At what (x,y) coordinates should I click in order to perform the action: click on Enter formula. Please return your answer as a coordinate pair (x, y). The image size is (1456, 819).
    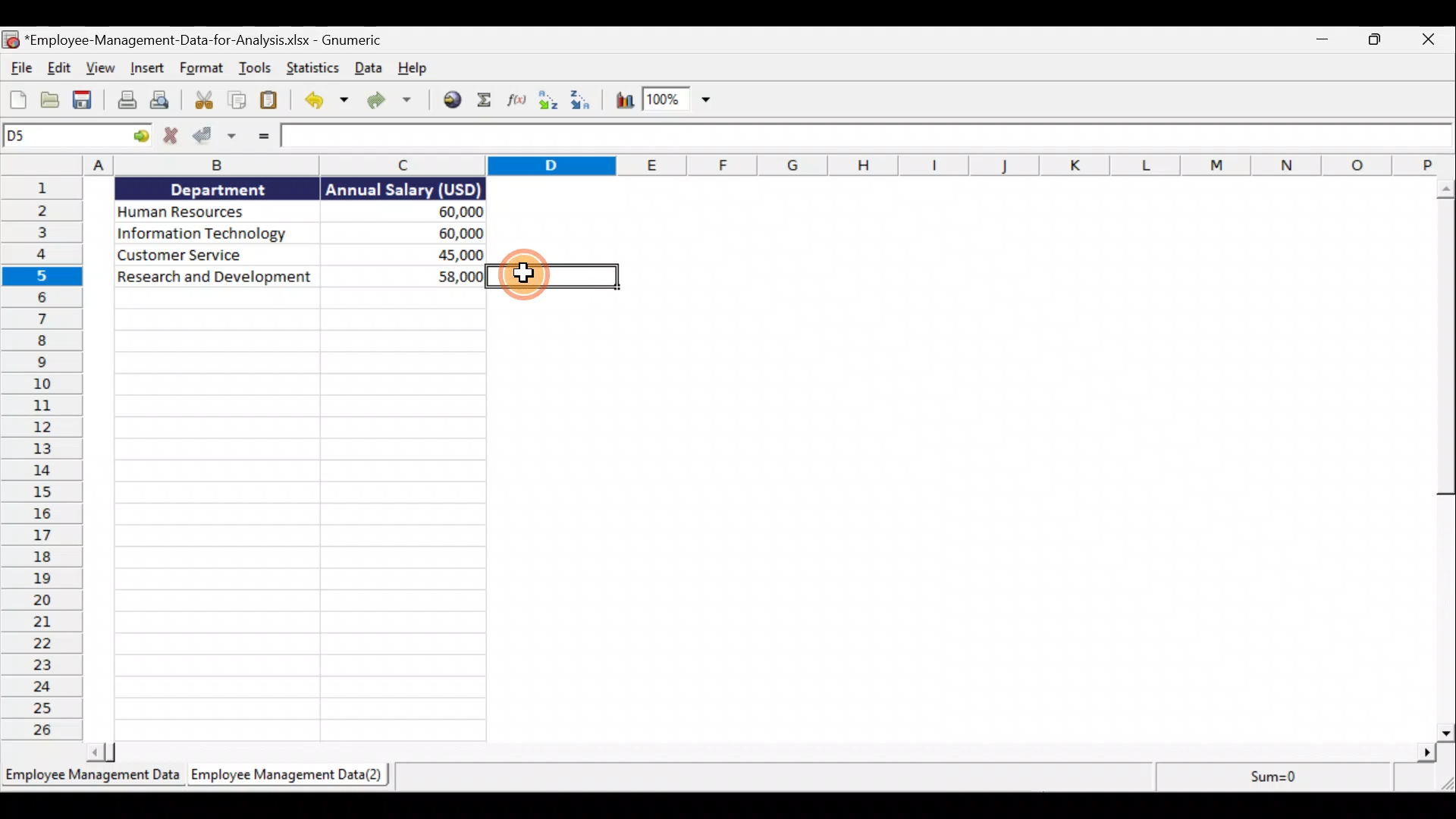
    Looking at the image, I should click on (261, 139).